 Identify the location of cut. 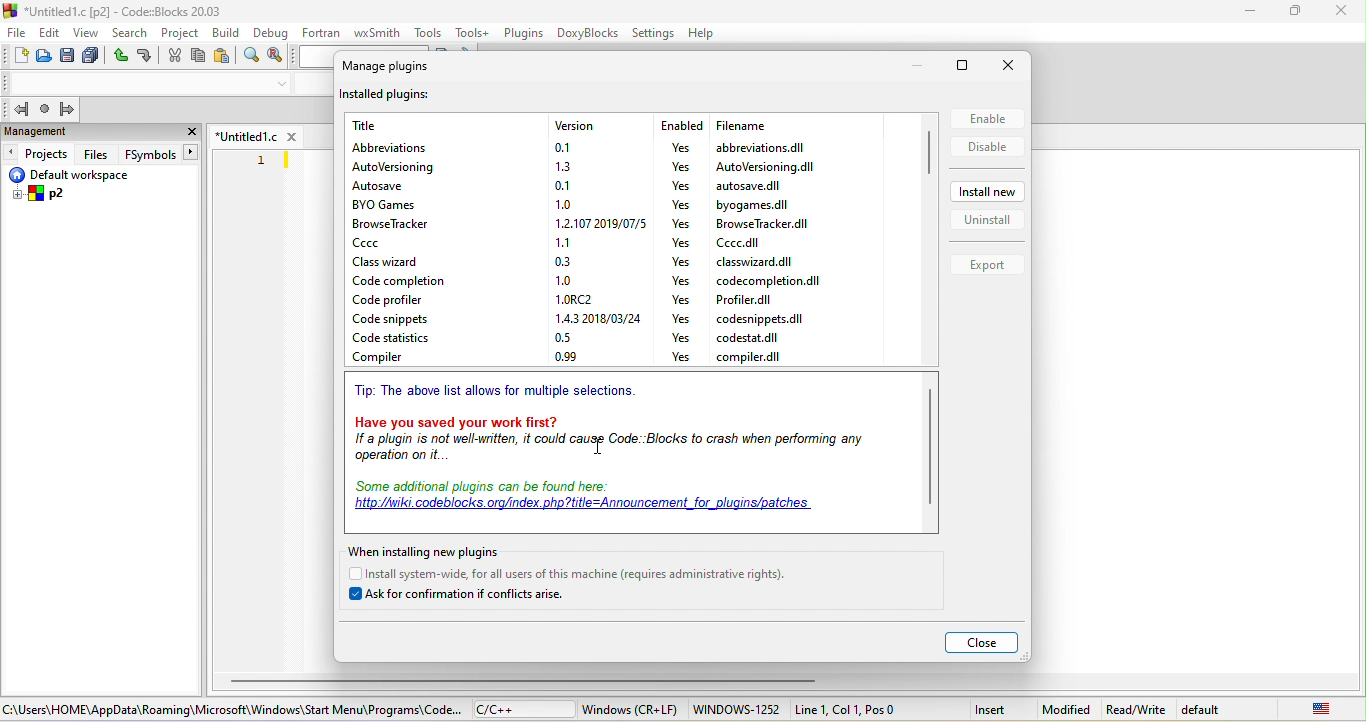
(175, 57).